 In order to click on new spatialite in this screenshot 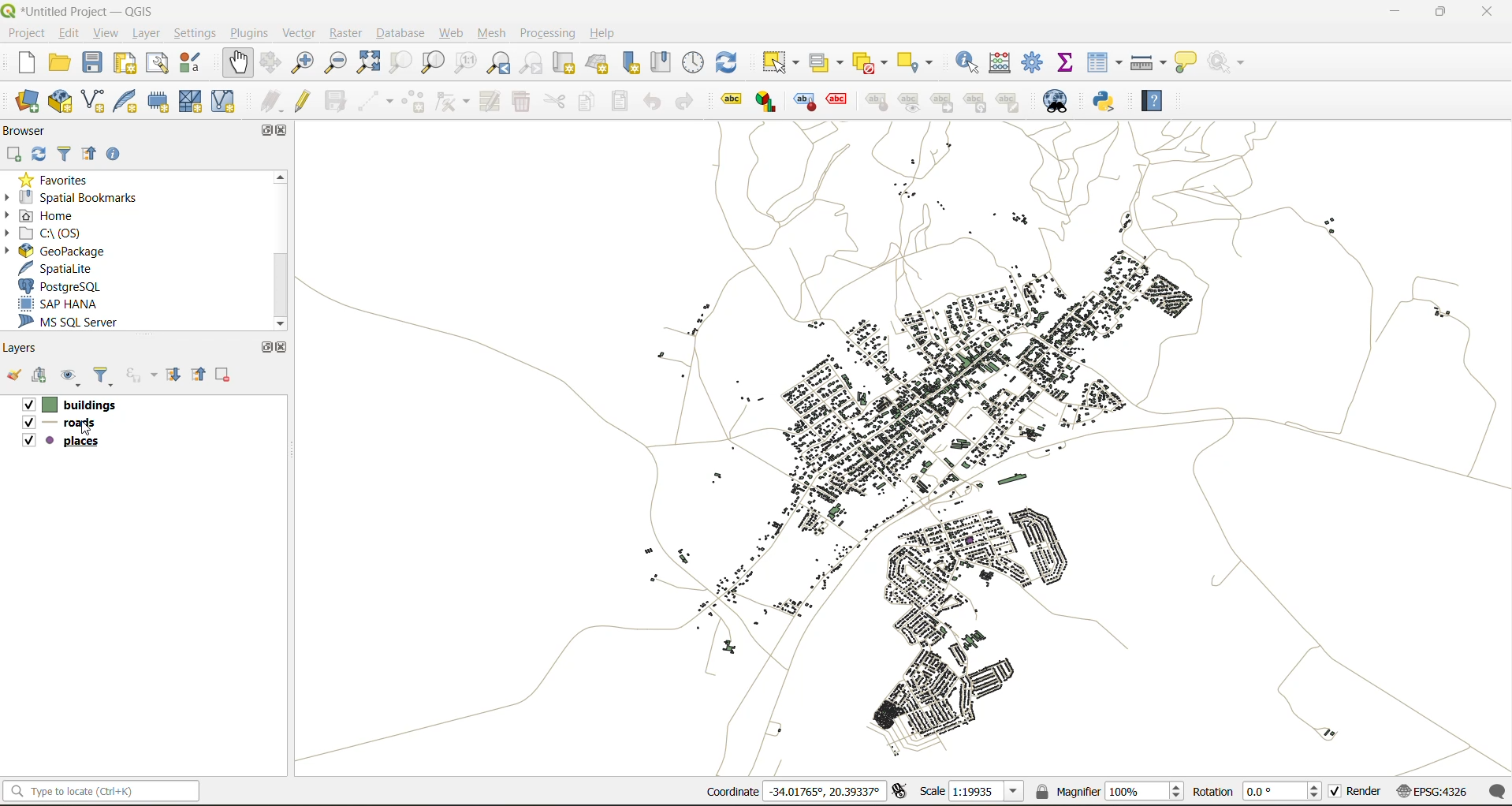, I will do `click(127, 103)`.